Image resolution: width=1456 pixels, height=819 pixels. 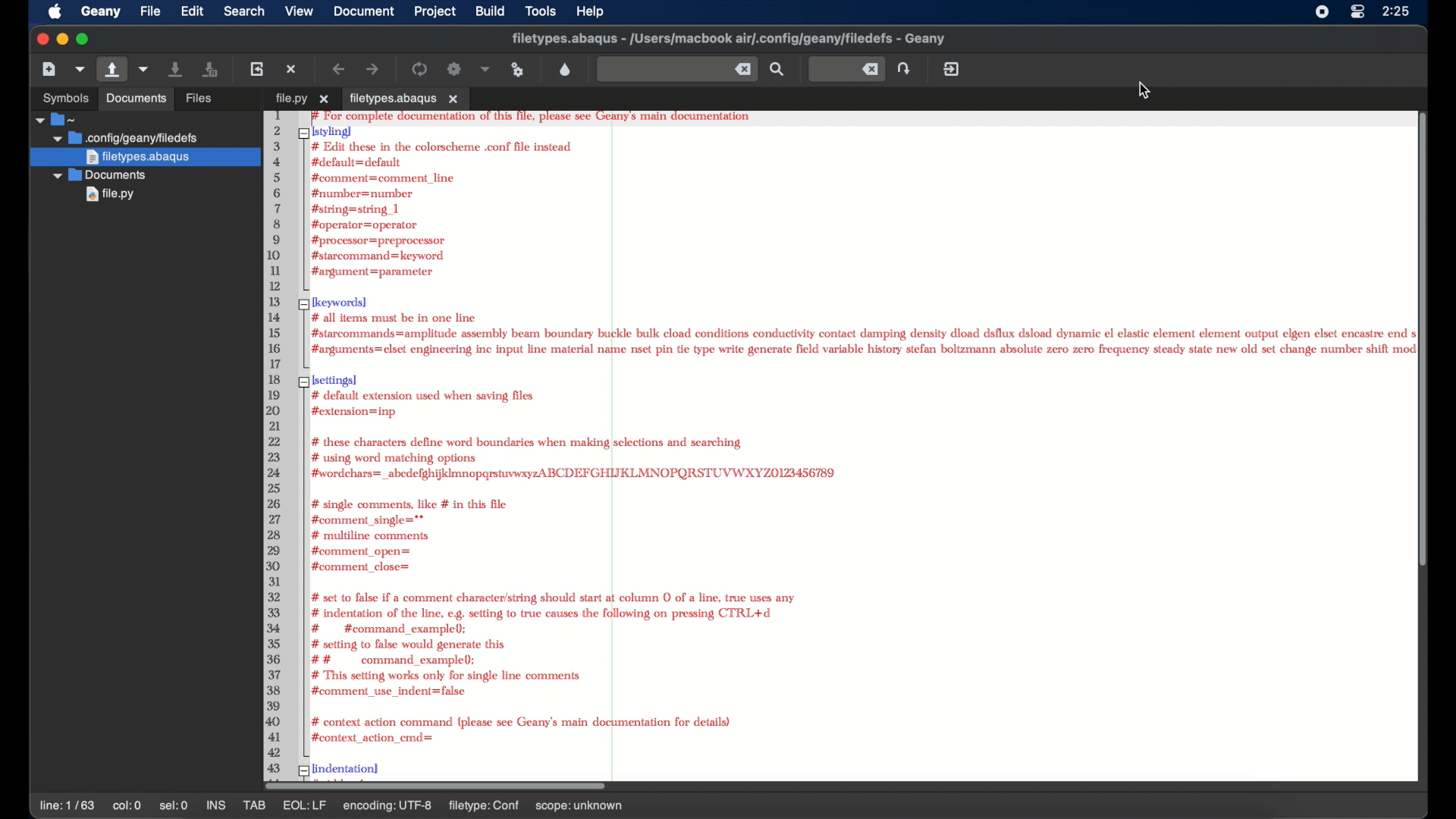 What do you see at coordinates (193, 11) in the screenshot?
I see `edit` at bounding box center [193, 11].